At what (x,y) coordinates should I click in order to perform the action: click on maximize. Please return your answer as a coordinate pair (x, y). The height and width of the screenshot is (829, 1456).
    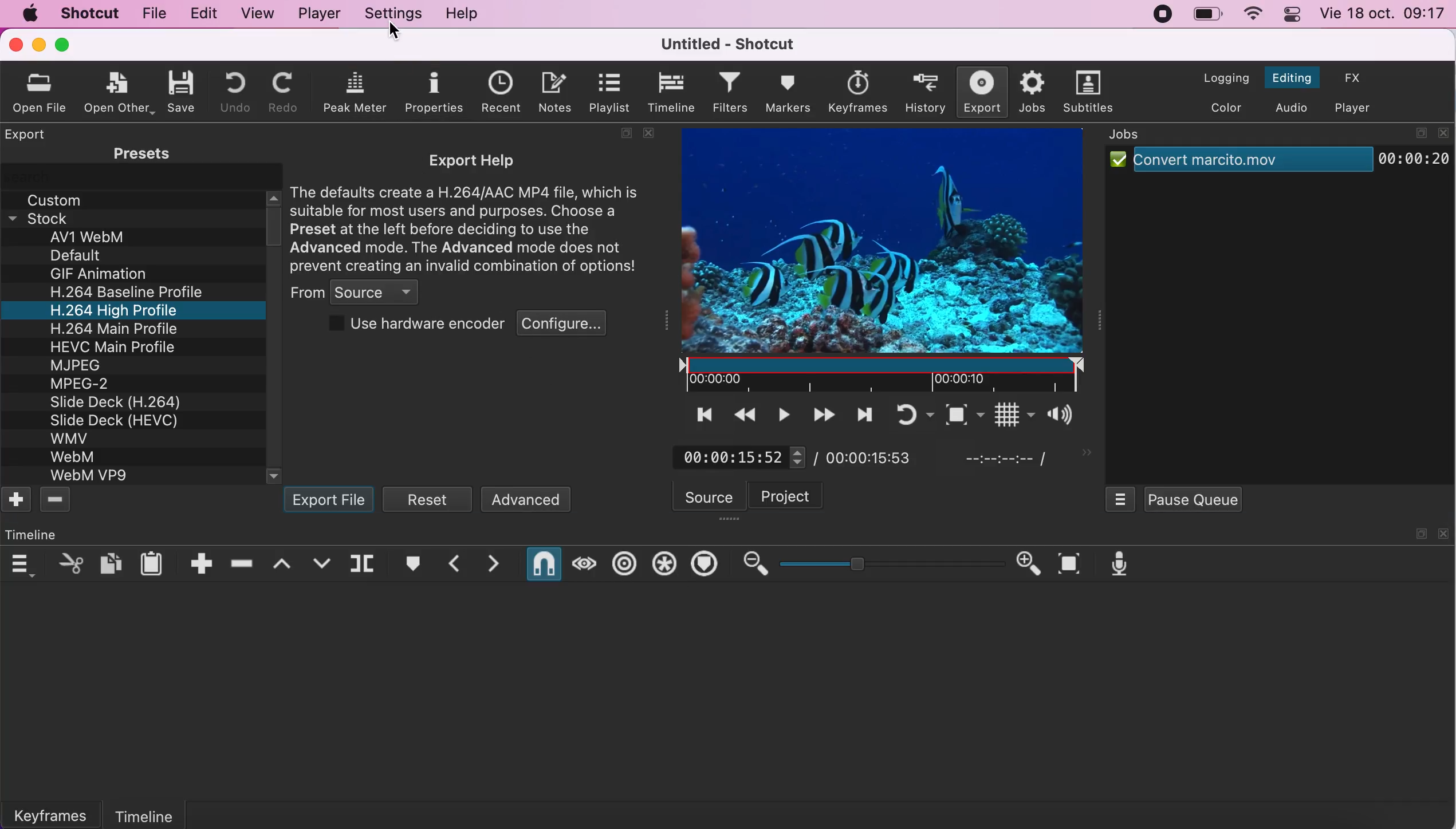
    Looking at the image, I should click on (623, 135).